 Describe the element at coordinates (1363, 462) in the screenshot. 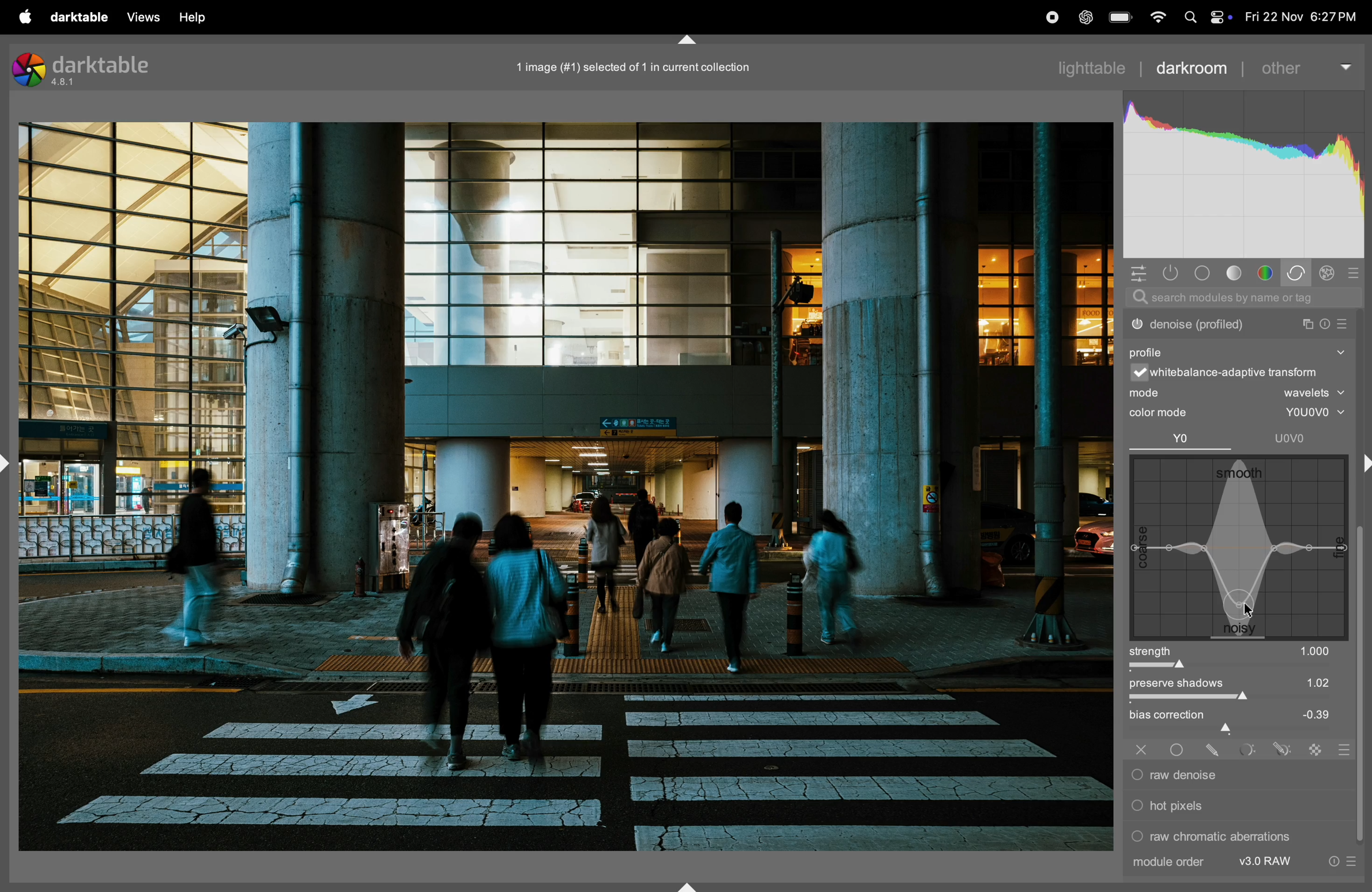

I see `shift+ctrl+r` at that location.